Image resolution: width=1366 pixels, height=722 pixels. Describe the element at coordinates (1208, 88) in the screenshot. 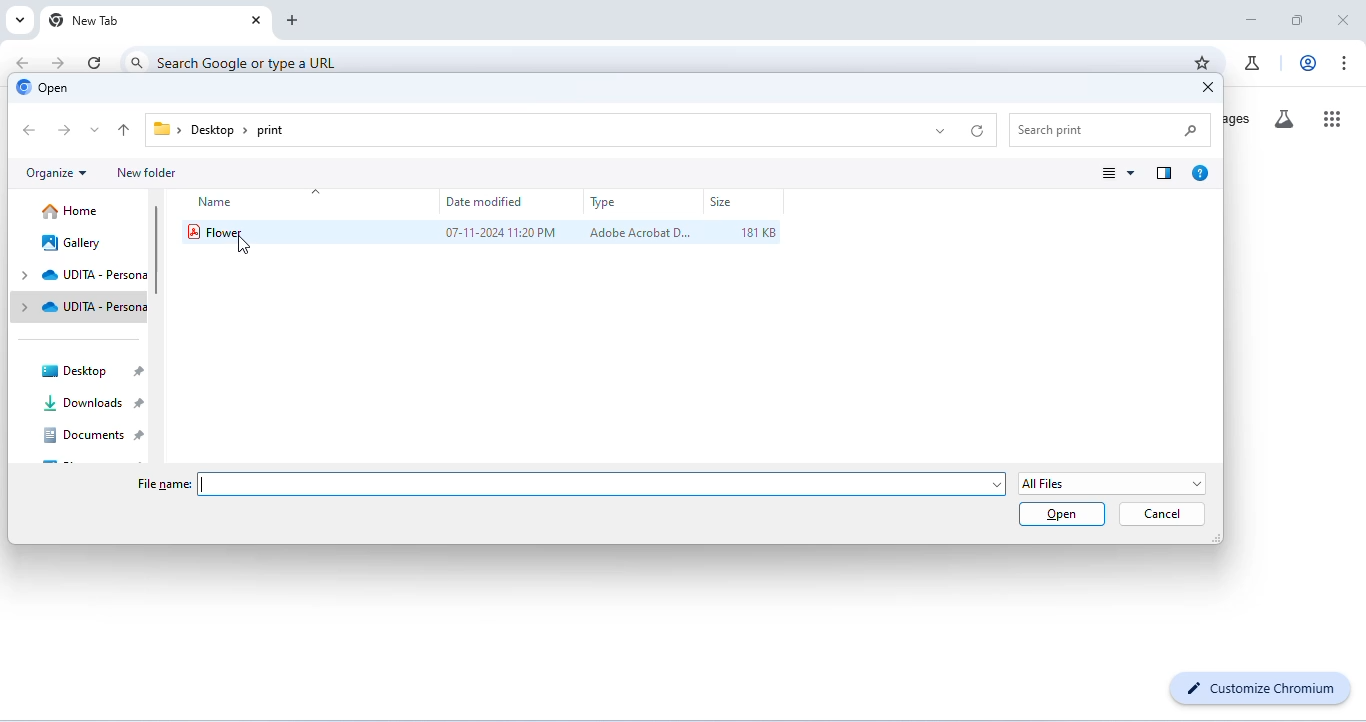

I see `close` at that location.